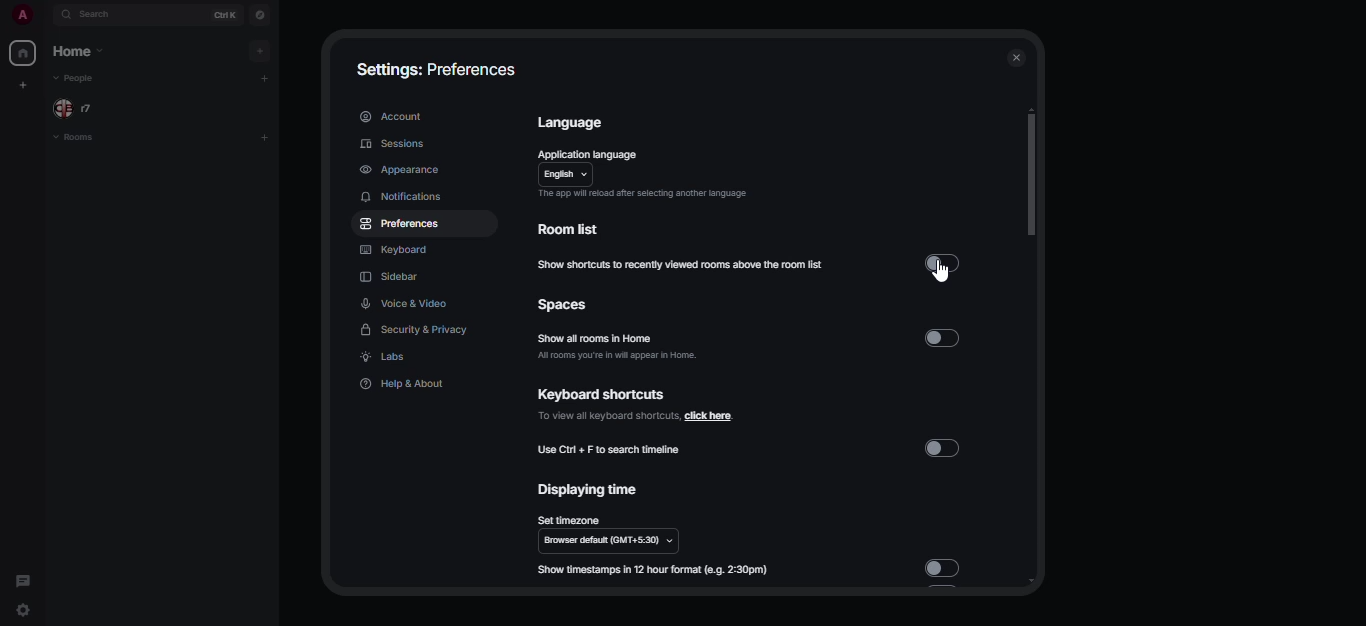 This screenshot has width=1366, height=626. What do you see at coordinates (97, 13) in the screenshot?
I see `search` at bounding box center [97, 13].